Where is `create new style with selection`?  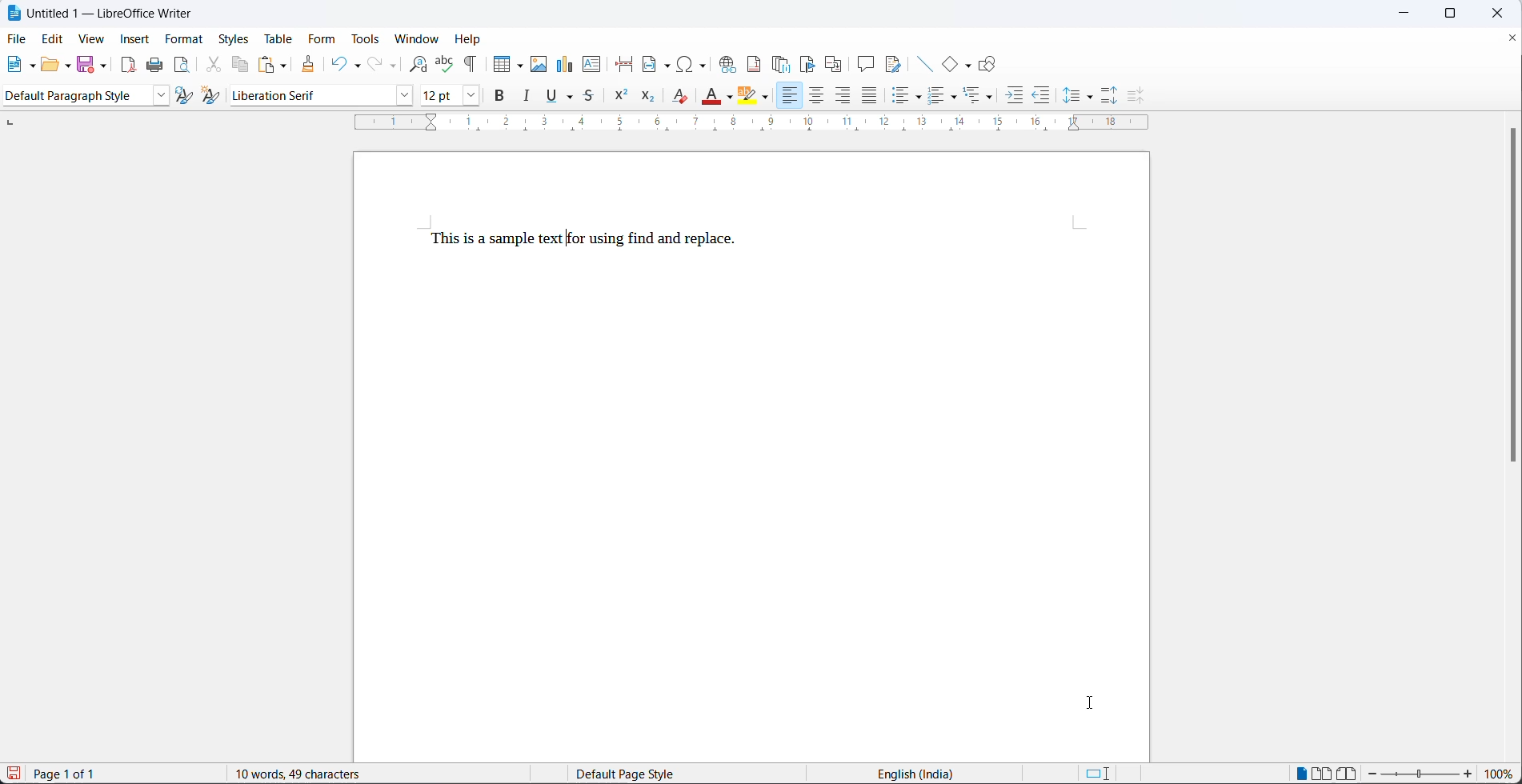 create new style with selection is located at coordinates (214, 95).